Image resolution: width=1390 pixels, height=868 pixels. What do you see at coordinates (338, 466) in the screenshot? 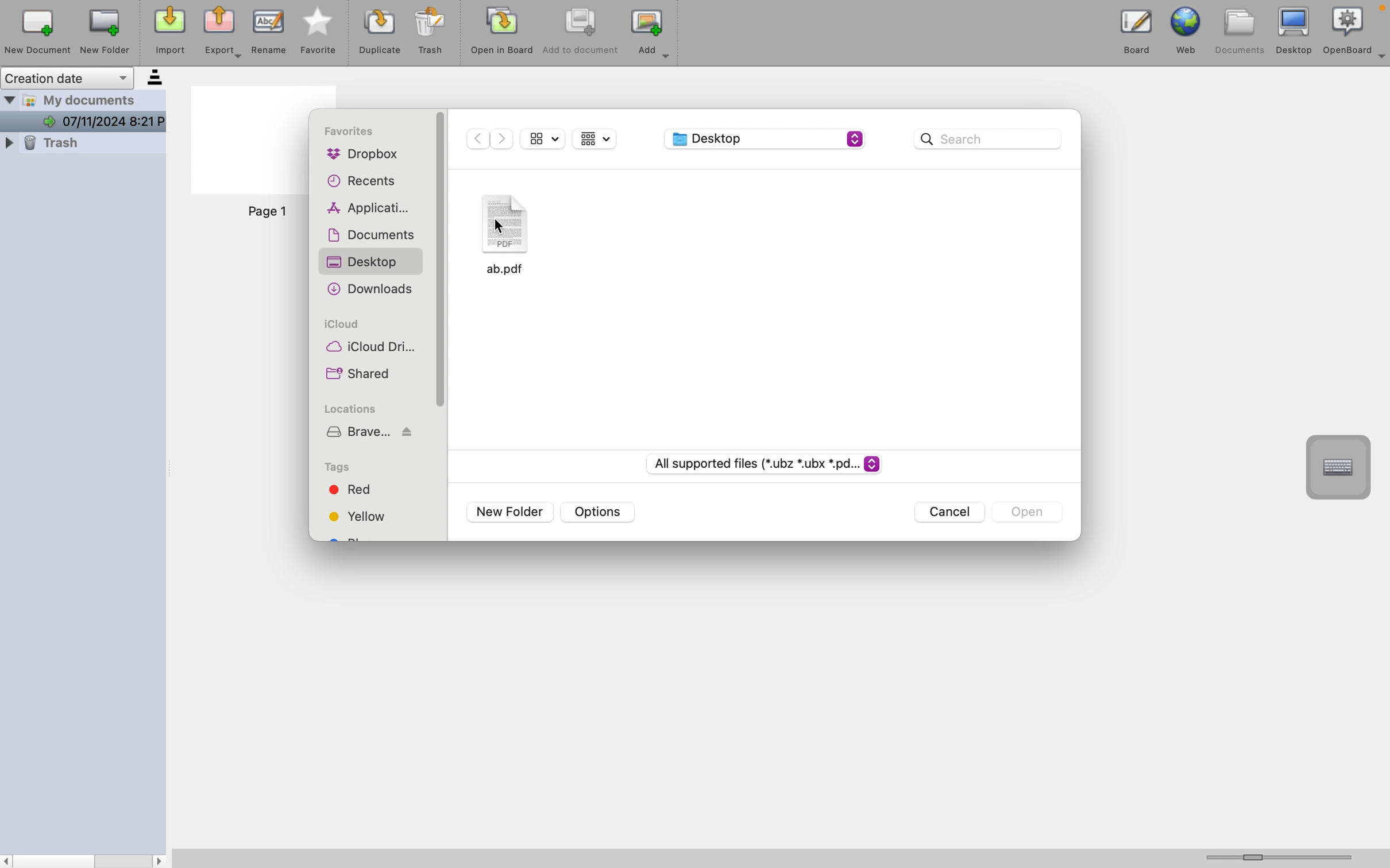
I see `tags` at bounding box center [338, 466].